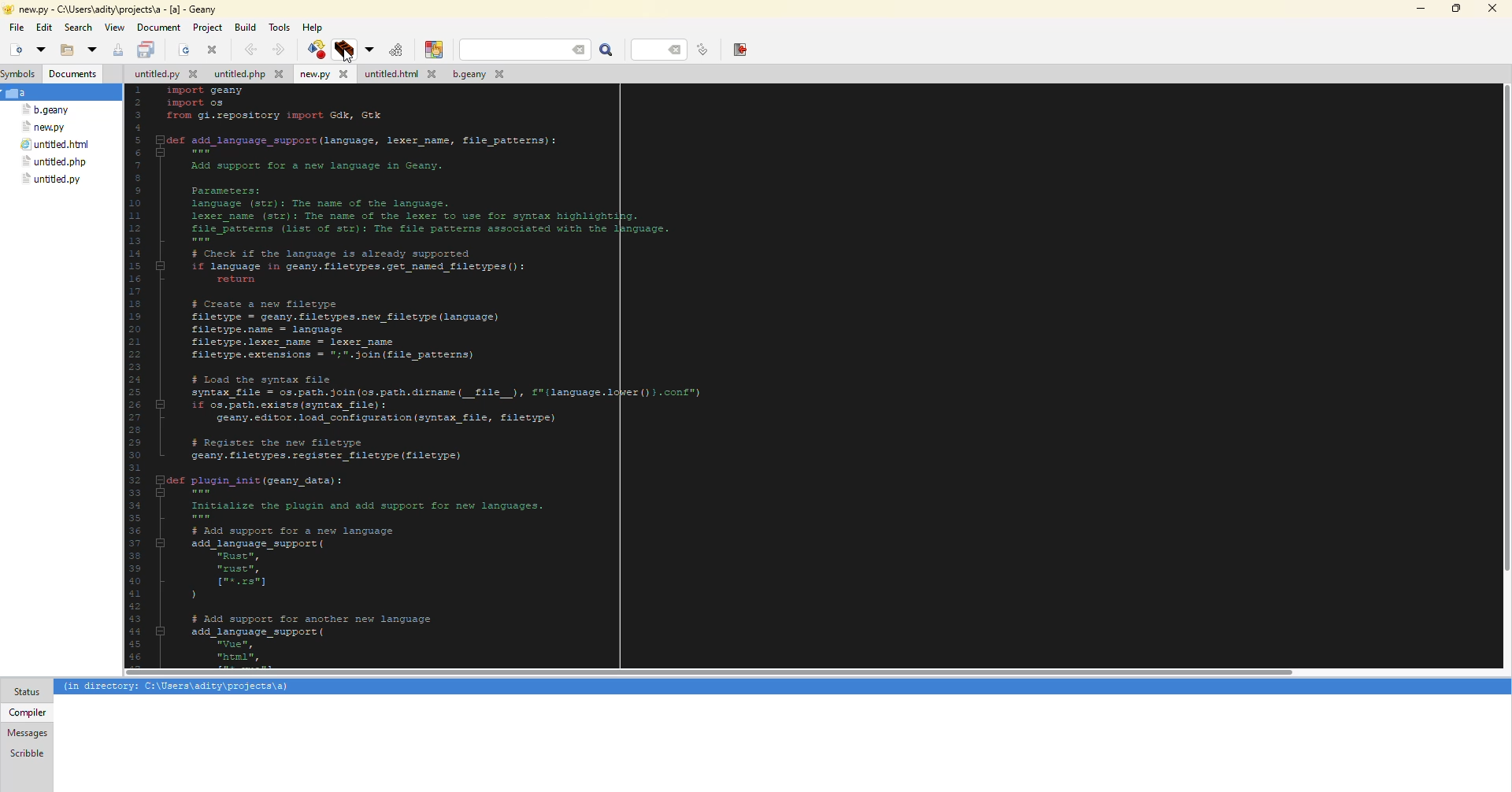 This screenshot has width=1512, height=792. What do you see at coordinates (1453, 7) in the screenshot?
I see `maximize` at bounding box center [1453, 7].